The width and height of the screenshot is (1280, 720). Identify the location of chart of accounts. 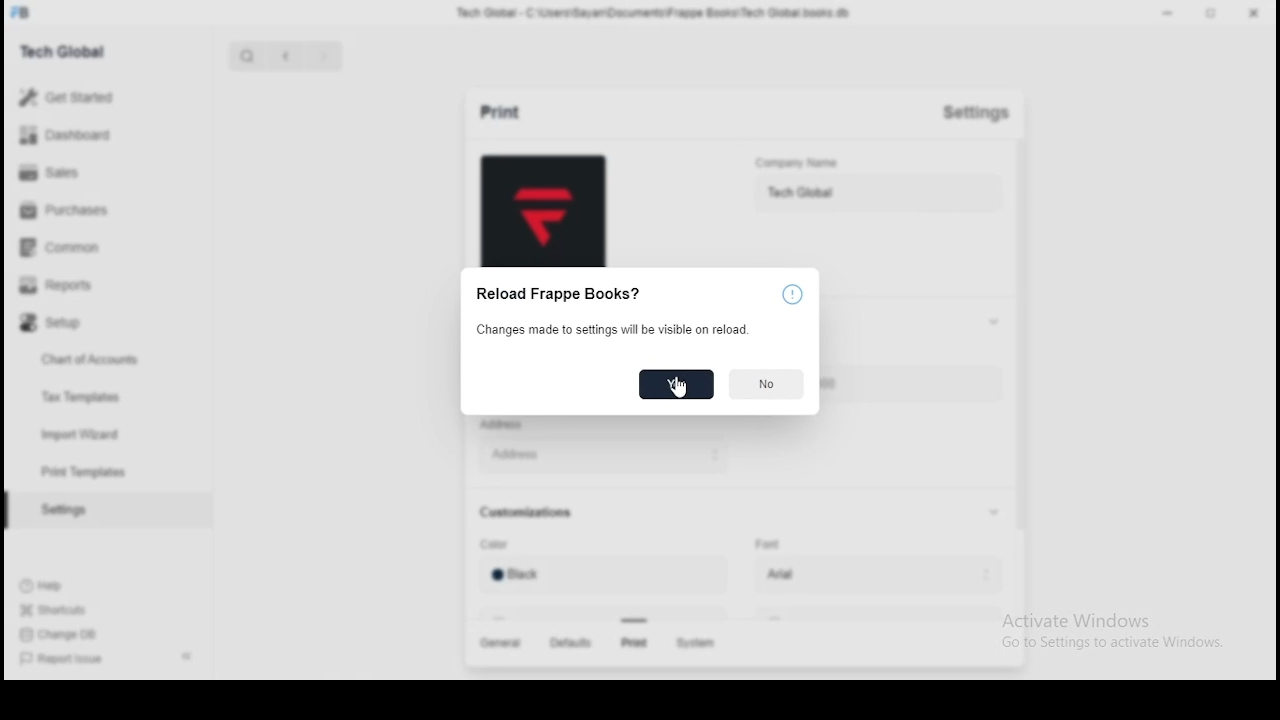
(80, 362).